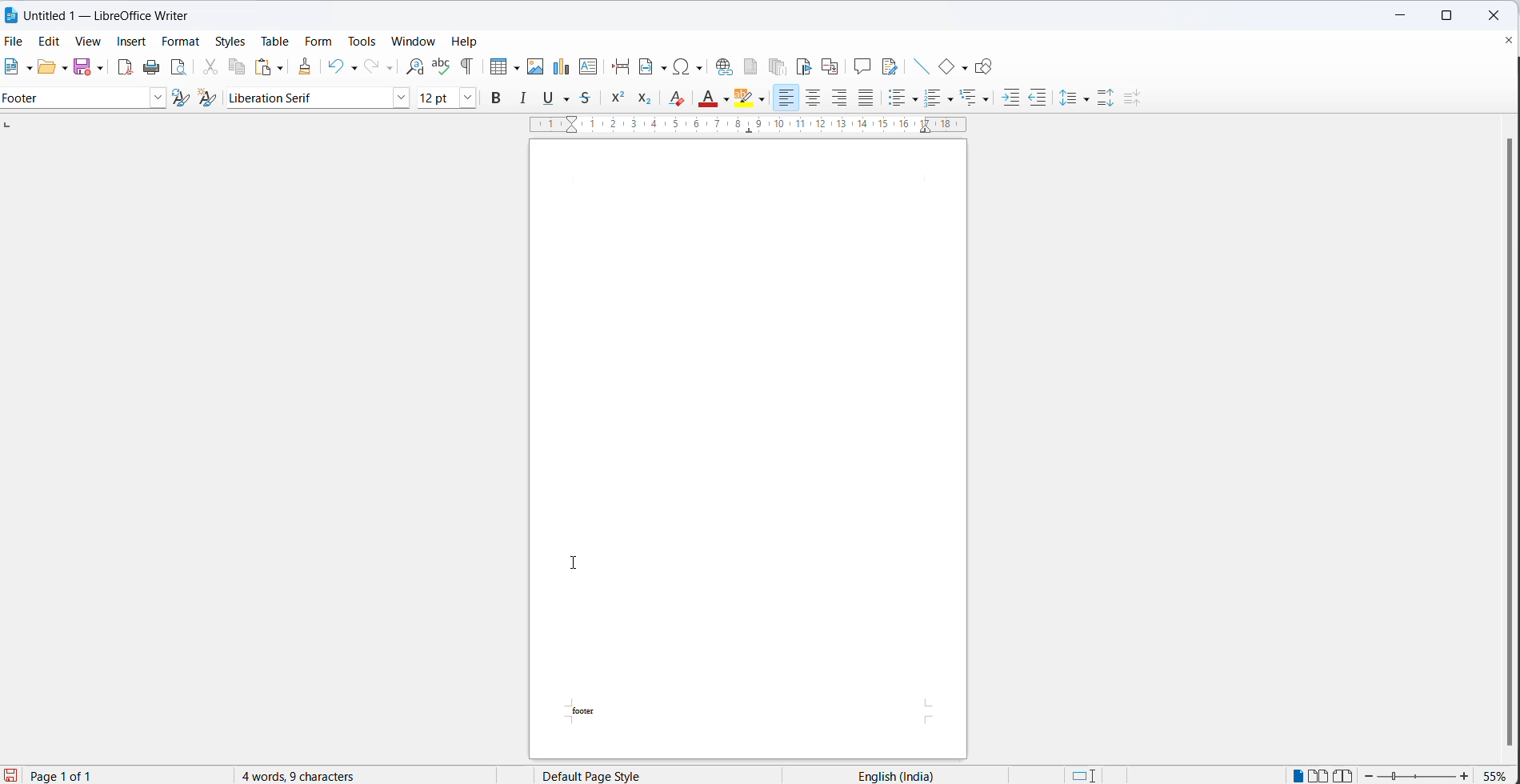  What do you see at coordinates (352, 67) in the screenshot?
I see `undo options` at bounding box center [352, 67].